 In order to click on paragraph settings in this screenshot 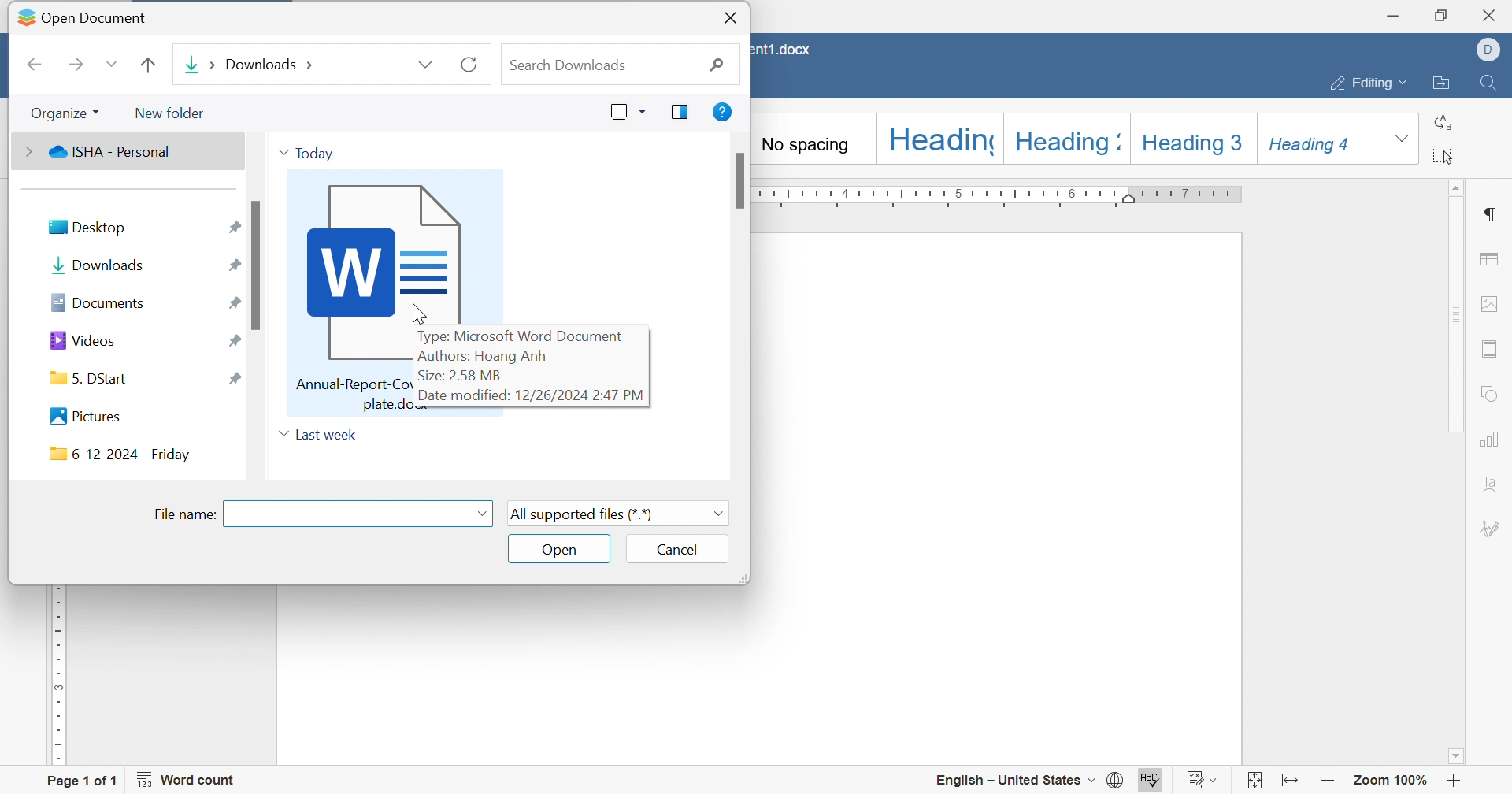, I will do `click(1488, 213)`.